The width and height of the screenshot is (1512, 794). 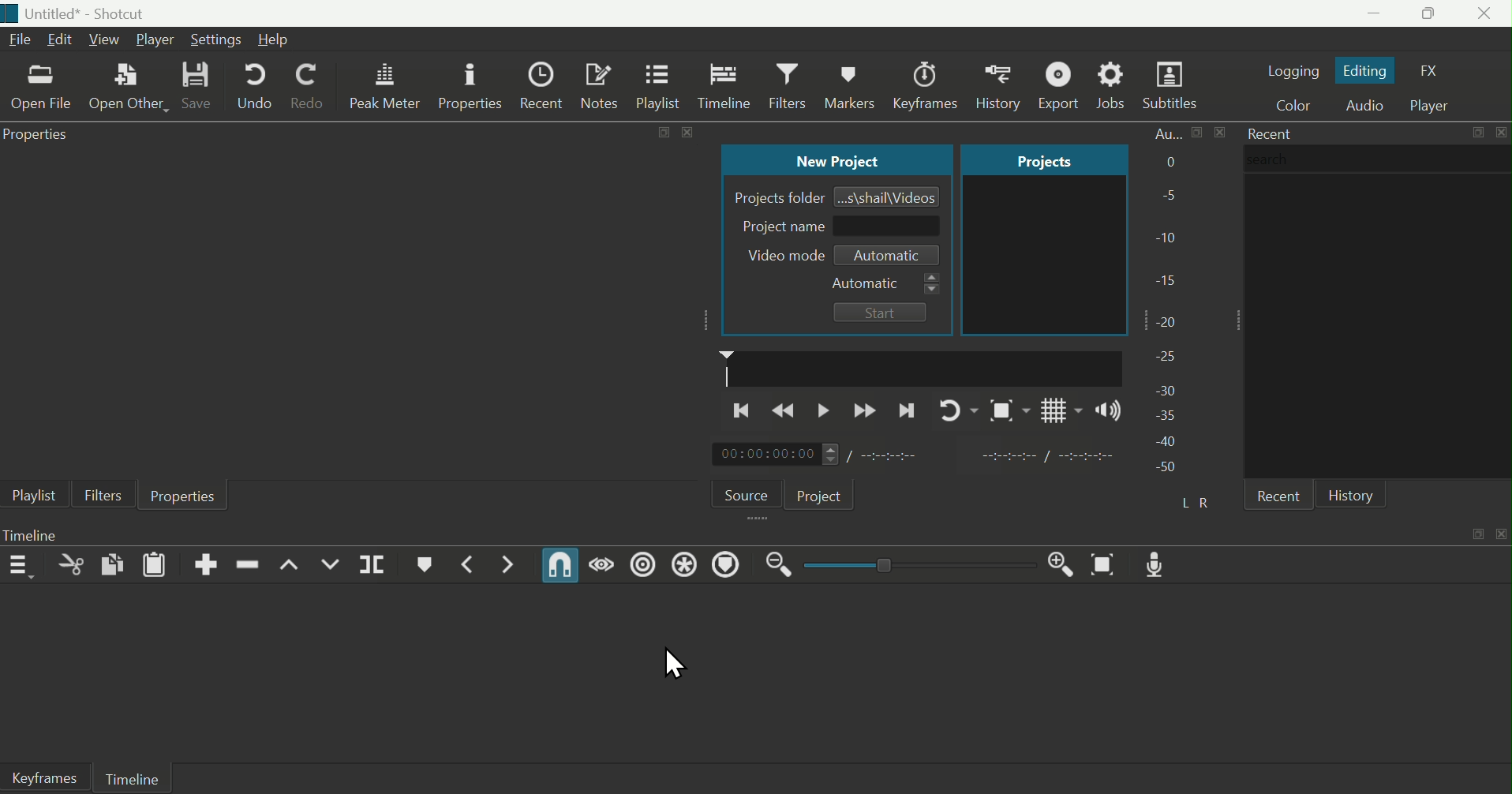 What do you see at coordinates (1476, 534) in the screenshot?
I see `expand` at bounding box center [1476, 534].